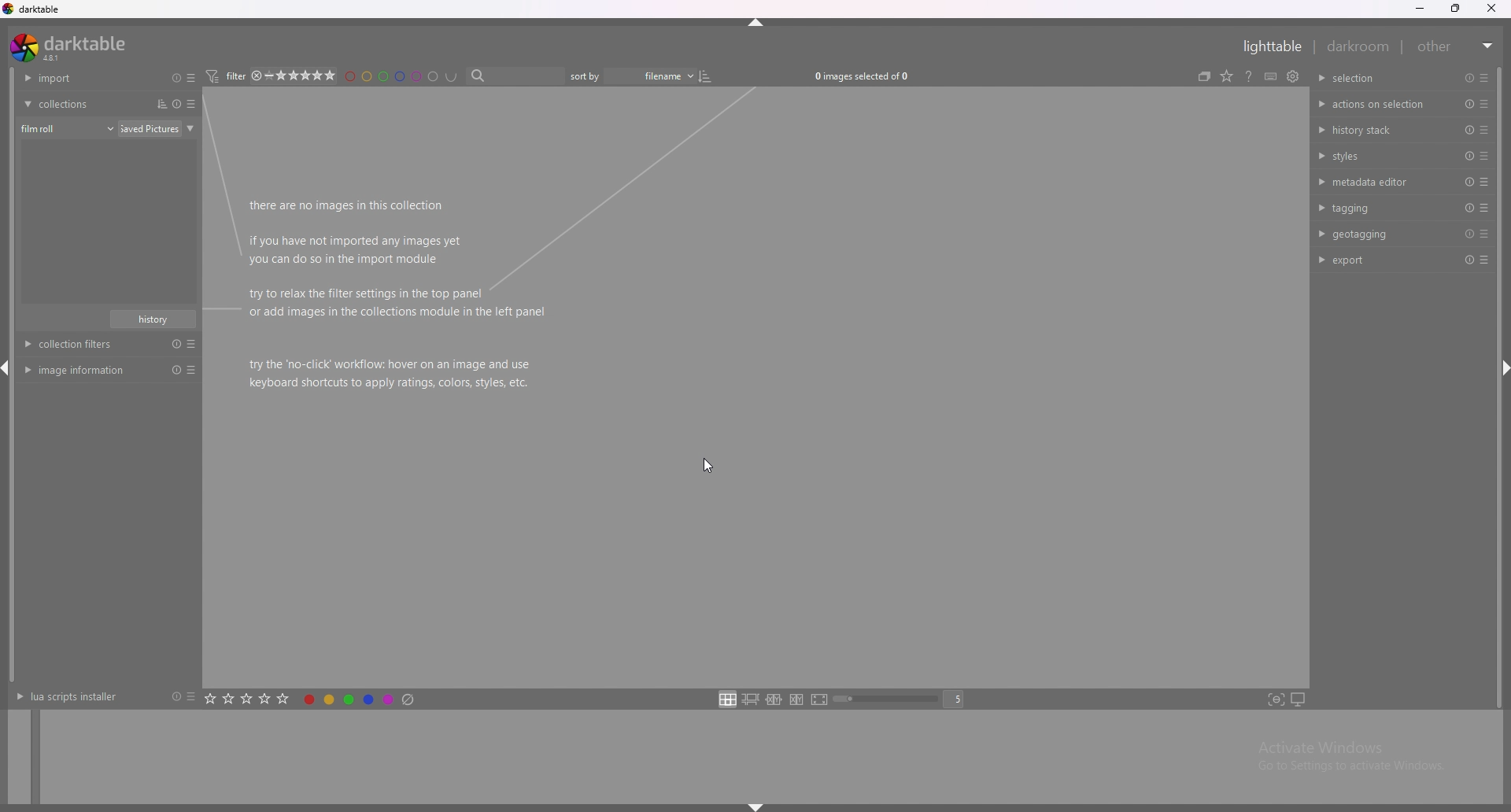 The width and height of the screenshot is (1511, 812). I want to click on presets, so click(190, 696).